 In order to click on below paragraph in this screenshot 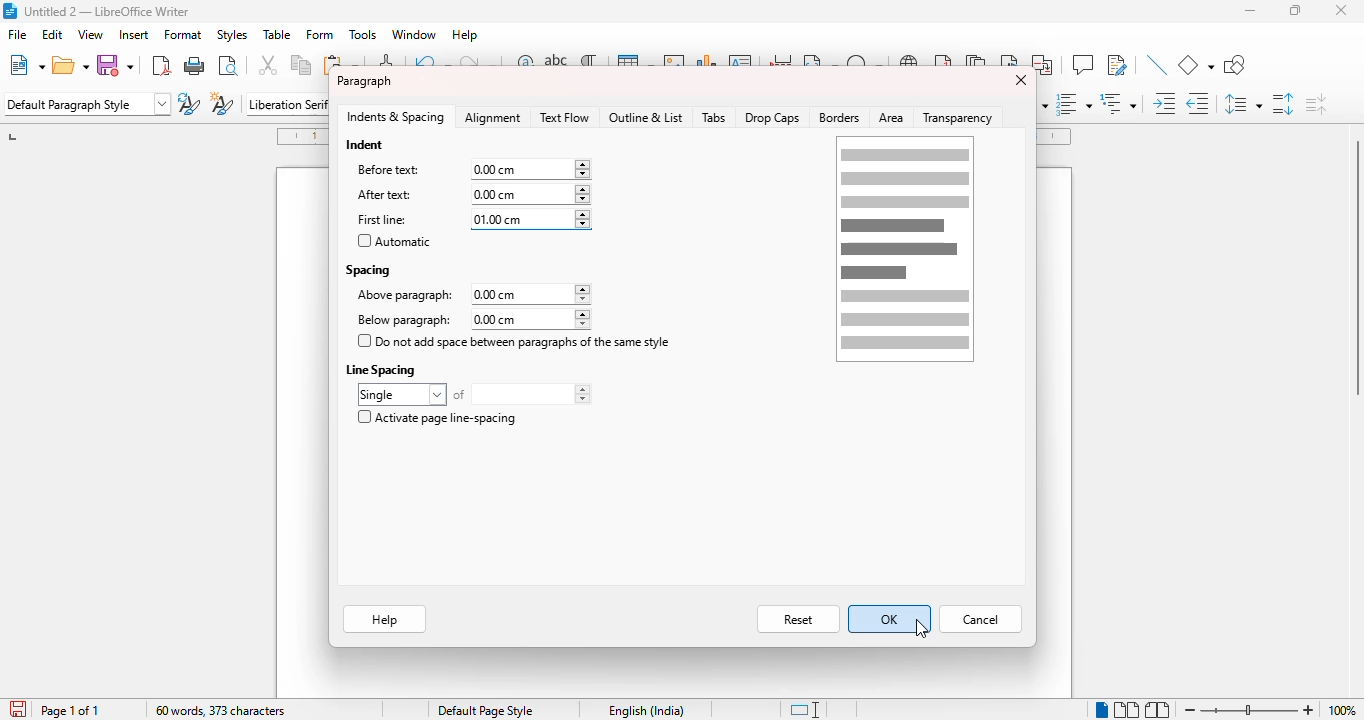, I will do `click(470, 319)`.